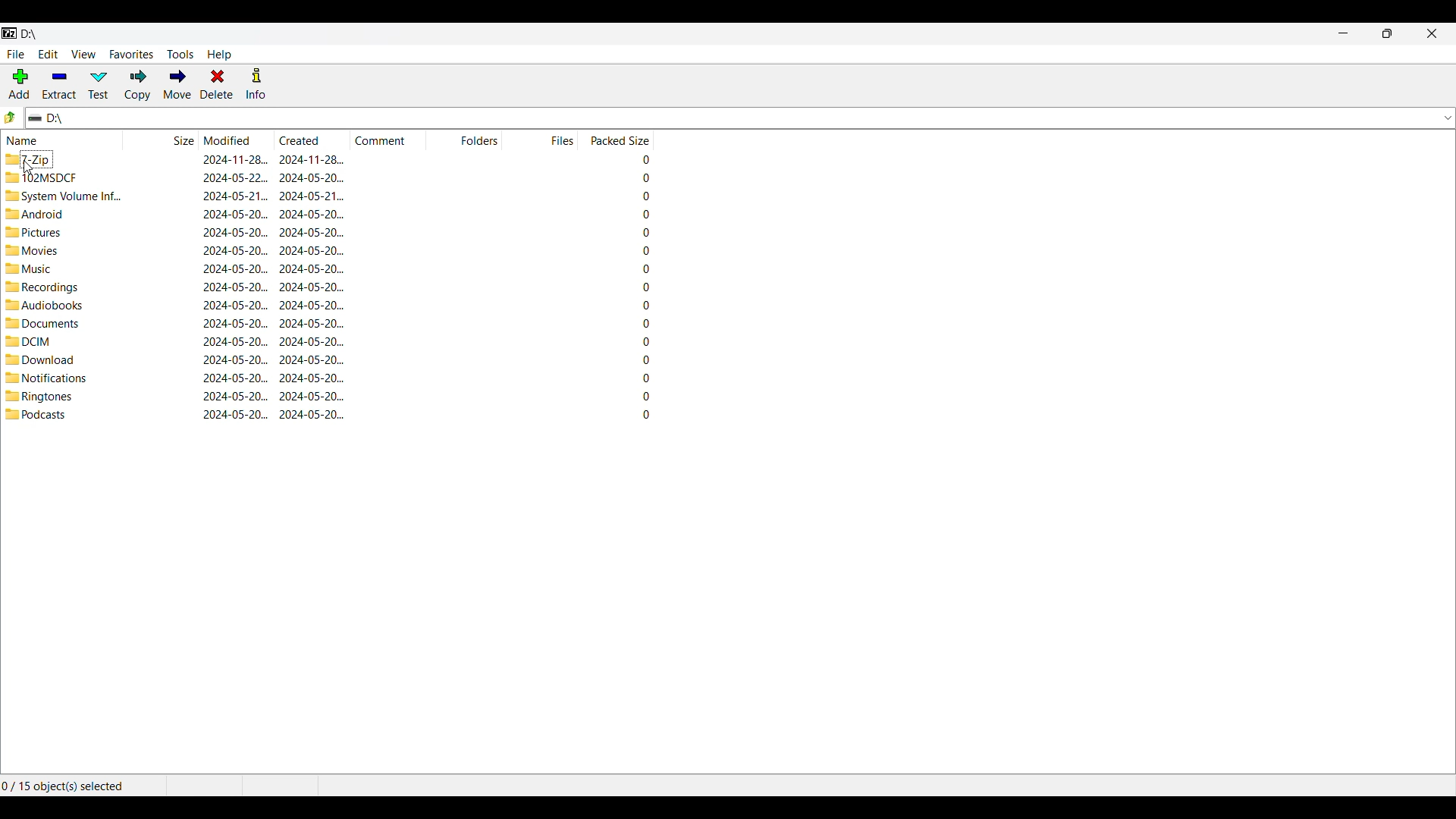  What do you see at coordinates (235, 231) in the screenshot?
I see `modified date & time` at bounding box center [235, 231].